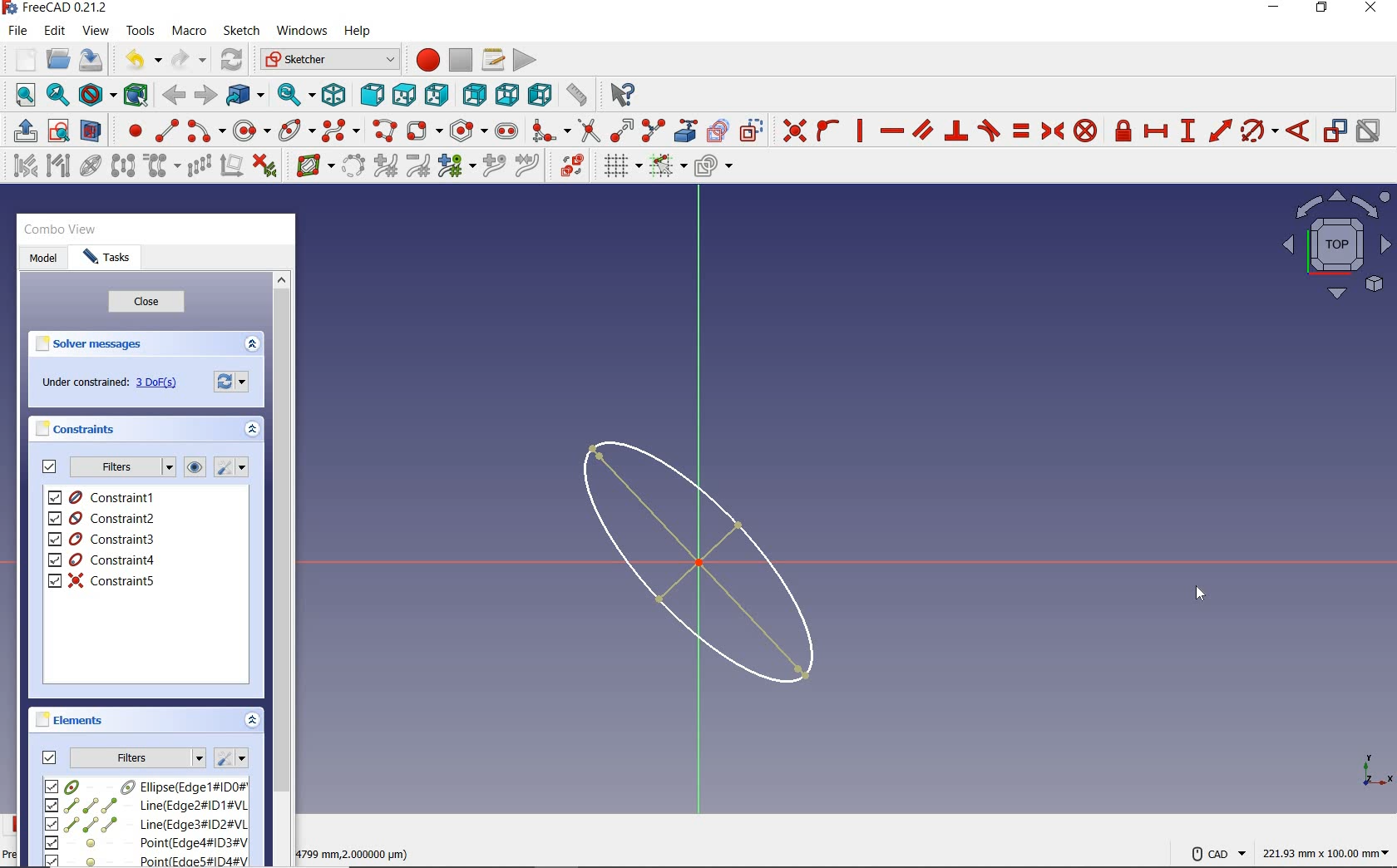  I want to click on ellipse, so click(296, 129).